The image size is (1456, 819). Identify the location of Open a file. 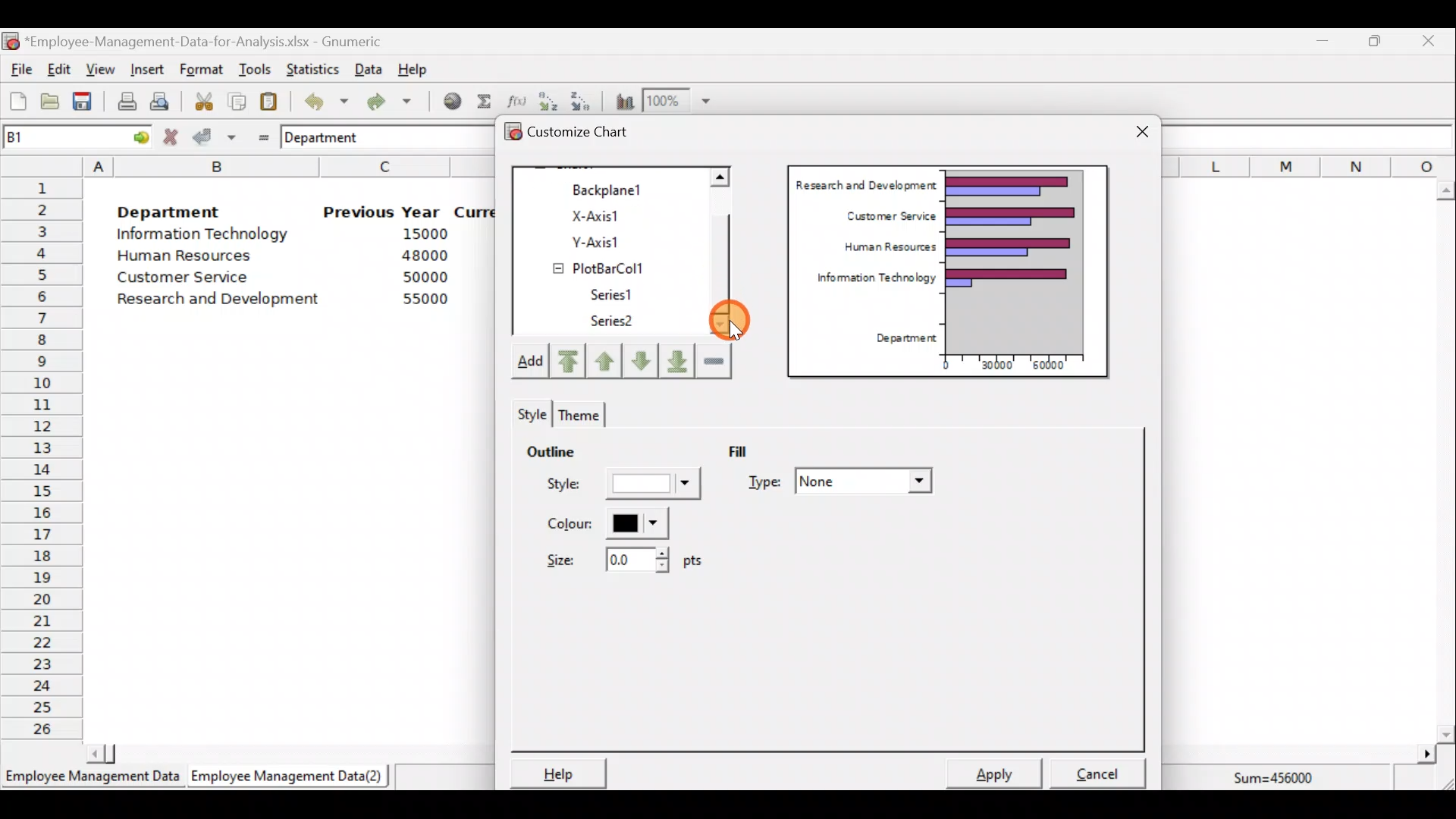
(54, 103).